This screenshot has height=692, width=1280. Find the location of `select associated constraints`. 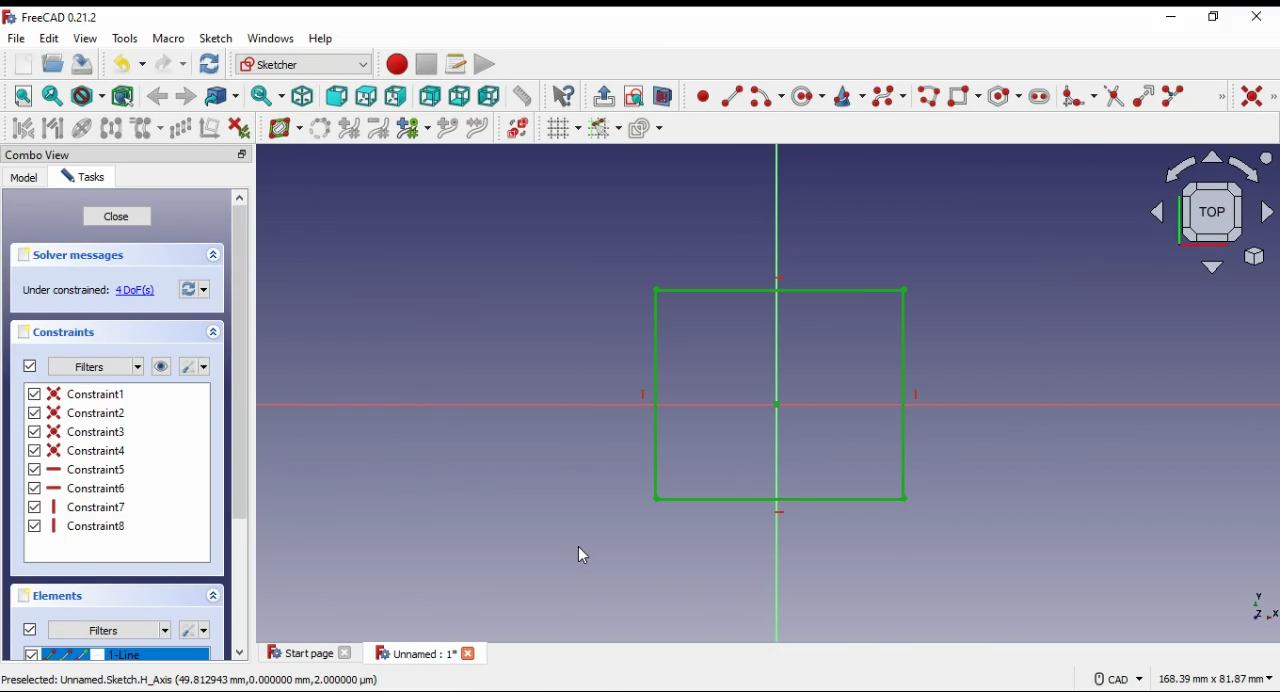

select associated constraints is located at coordinates (24, 128).